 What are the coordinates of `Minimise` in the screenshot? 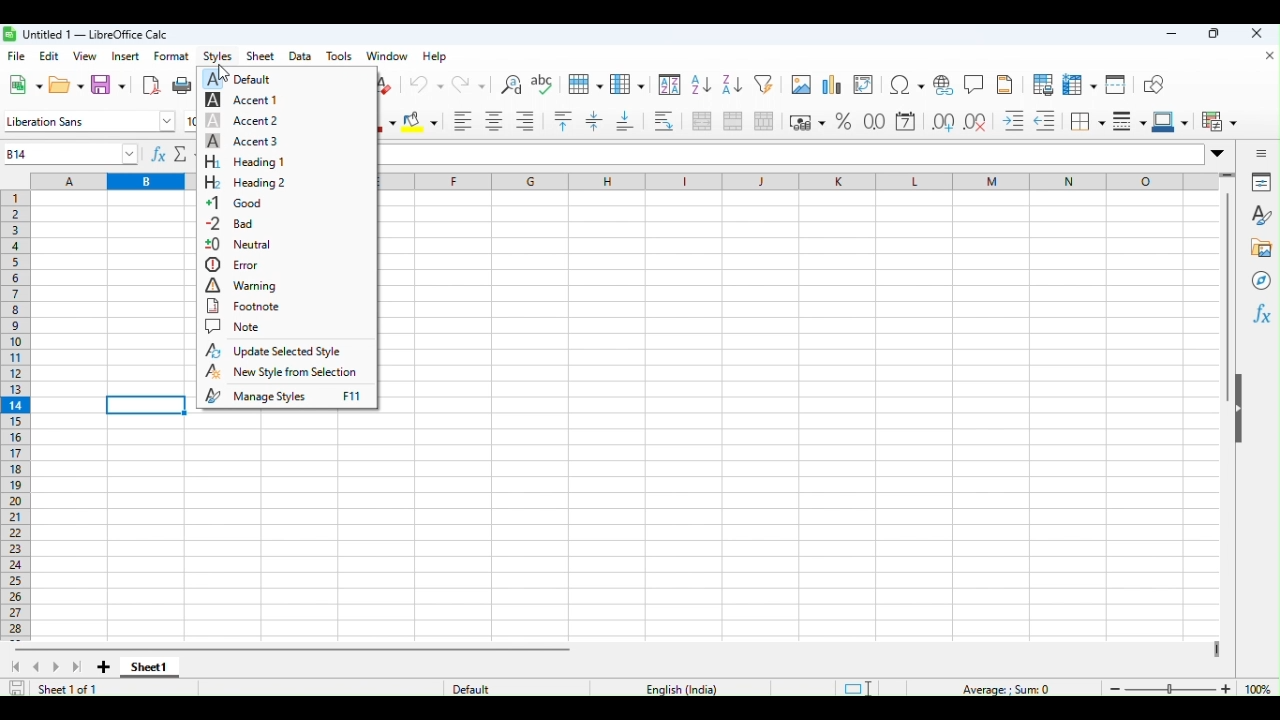 It's located at (1178, 34).